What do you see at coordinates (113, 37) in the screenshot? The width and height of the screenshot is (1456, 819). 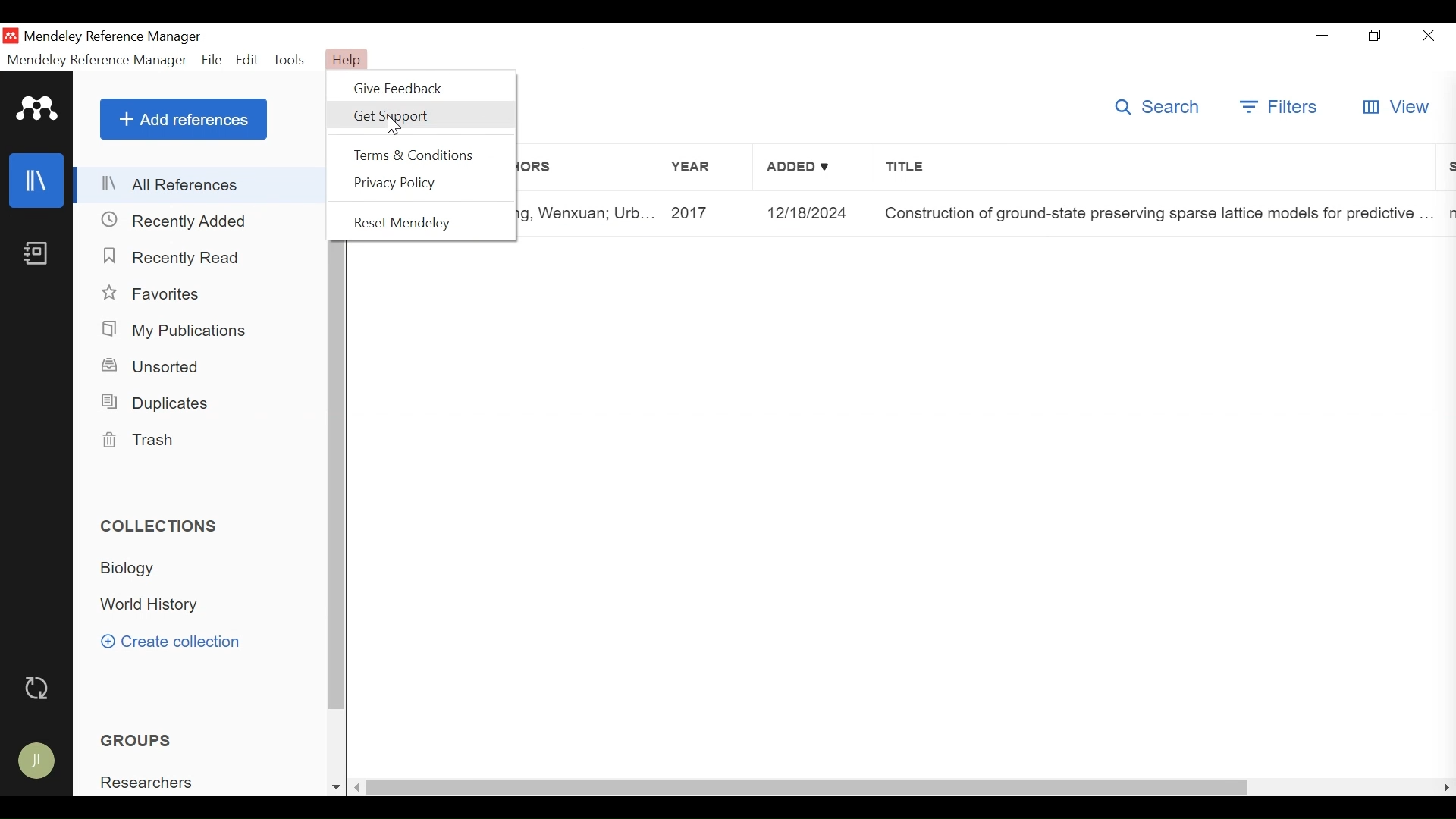 I see `Mendeley Reference Manager` at bounding box center [113, 37].